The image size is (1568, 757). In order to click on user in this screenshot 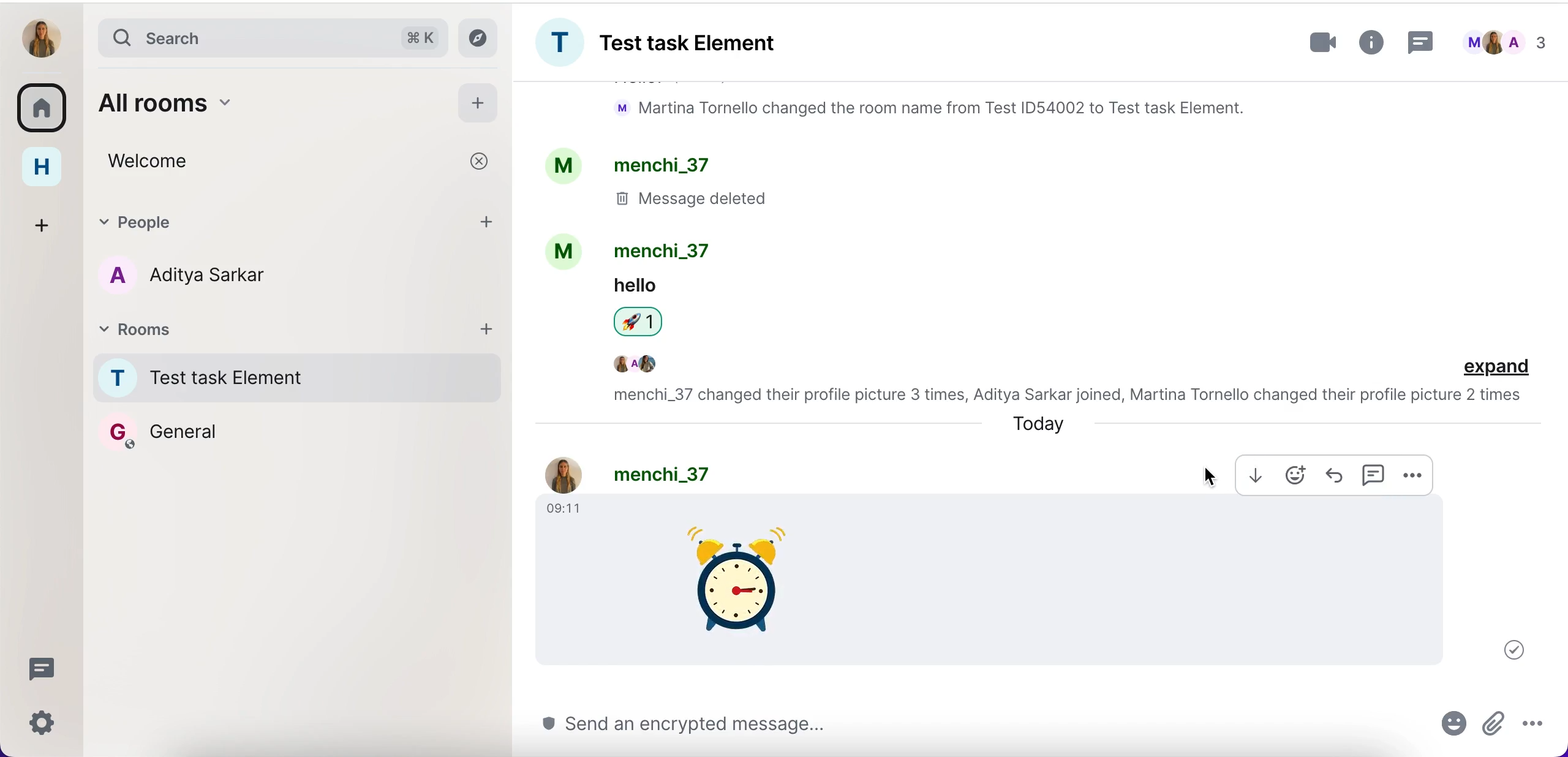, I will do `click(43, 36)`.